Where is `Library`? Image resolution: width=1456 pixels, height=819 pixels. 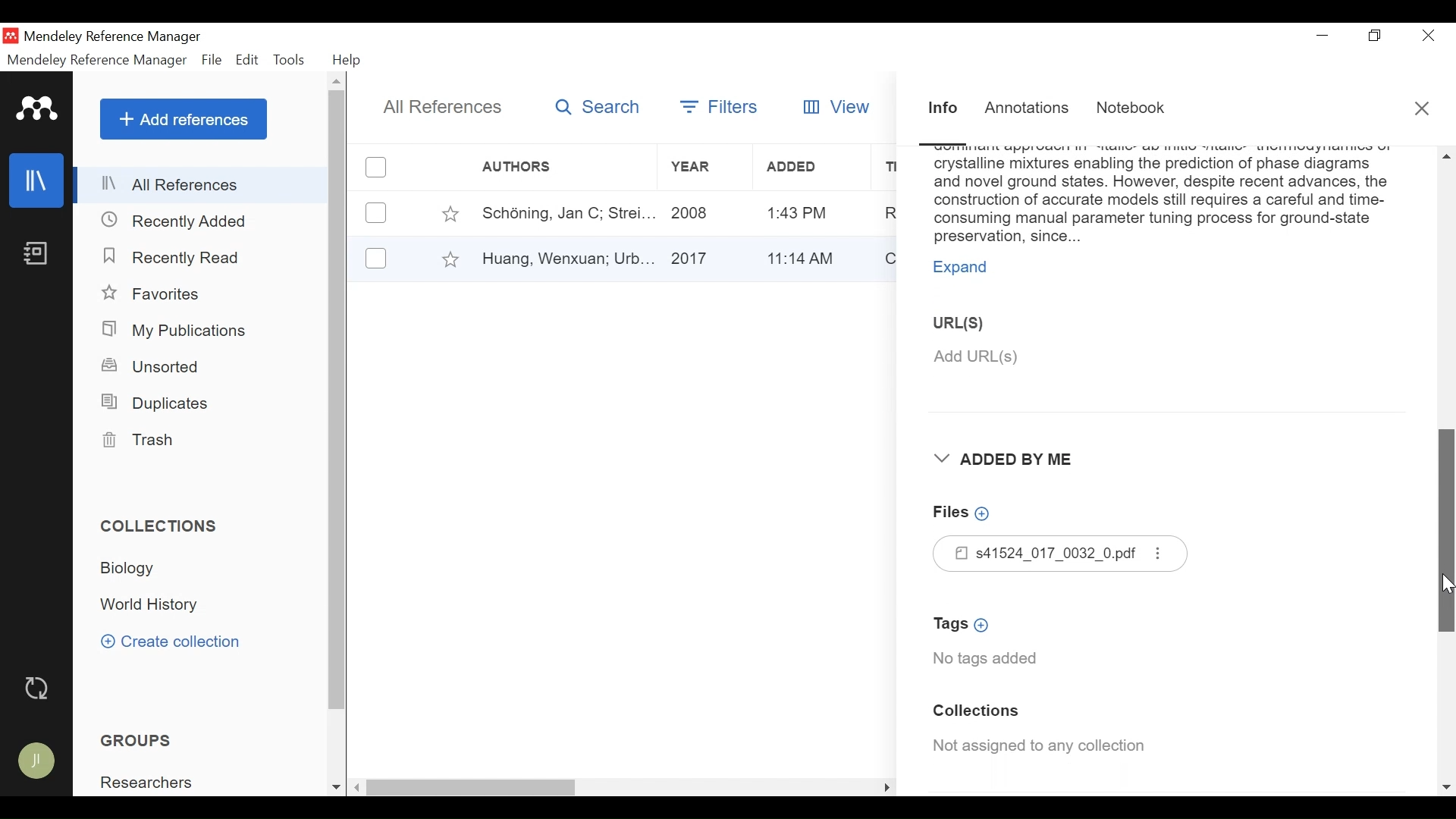 Library is located at coordinates (37, 180).